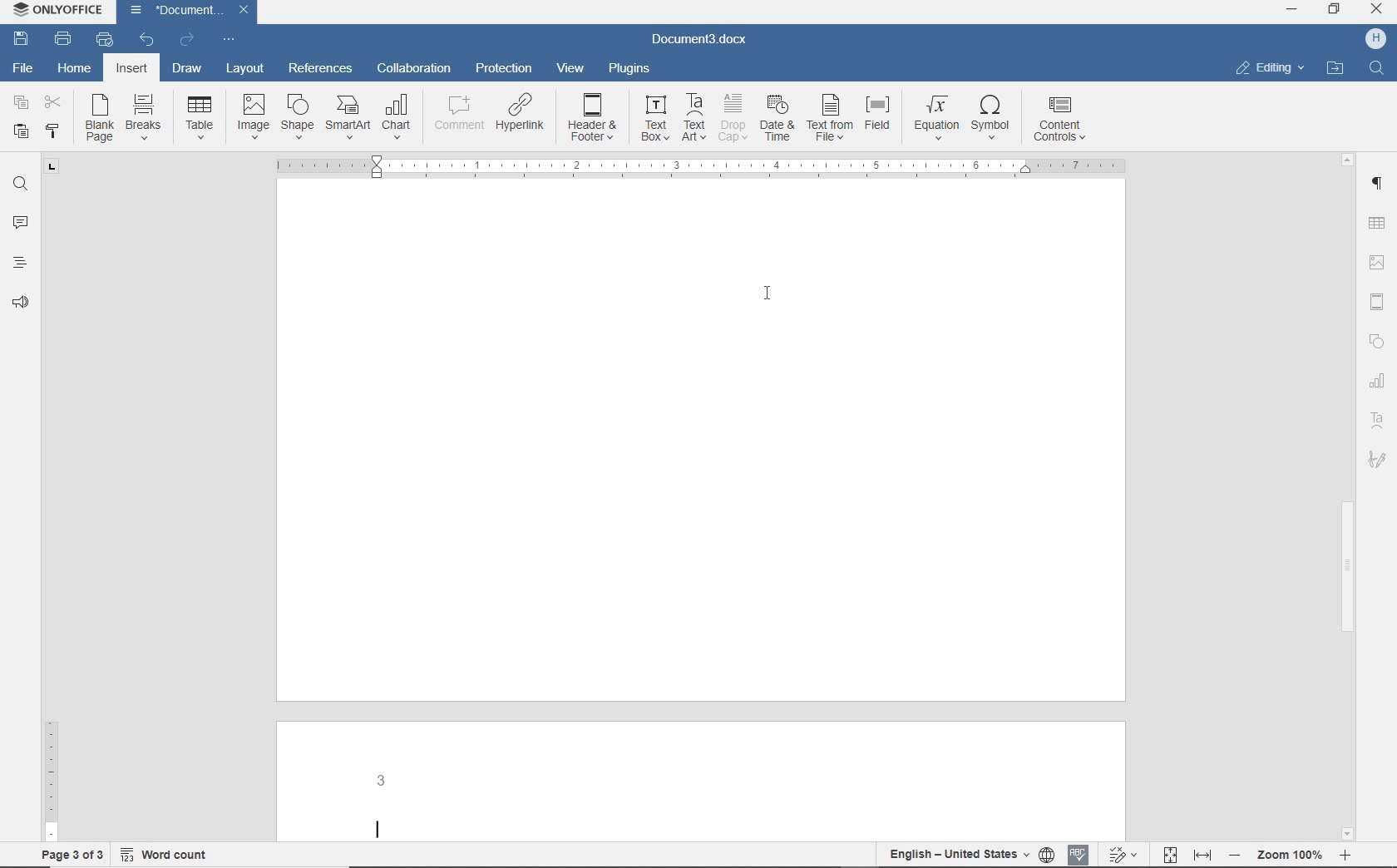 Image resolution: width=1397 pixels, height=868 pixels. Describe the element at coordinates (1169, 854) in the screenshot. I see `FIT TO PAGE` at that location.